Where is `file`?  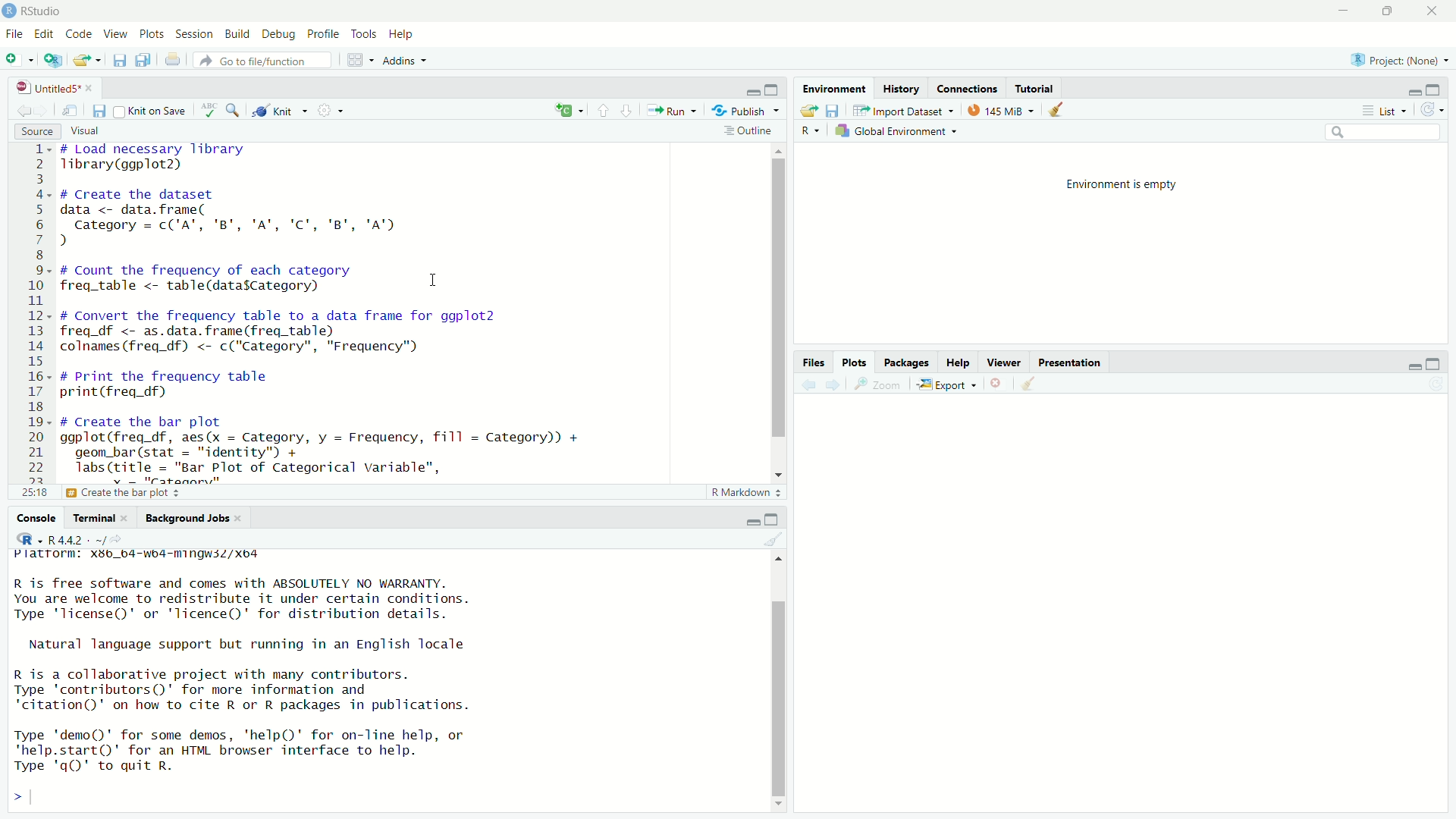
file is located at coordinates (12, 35).